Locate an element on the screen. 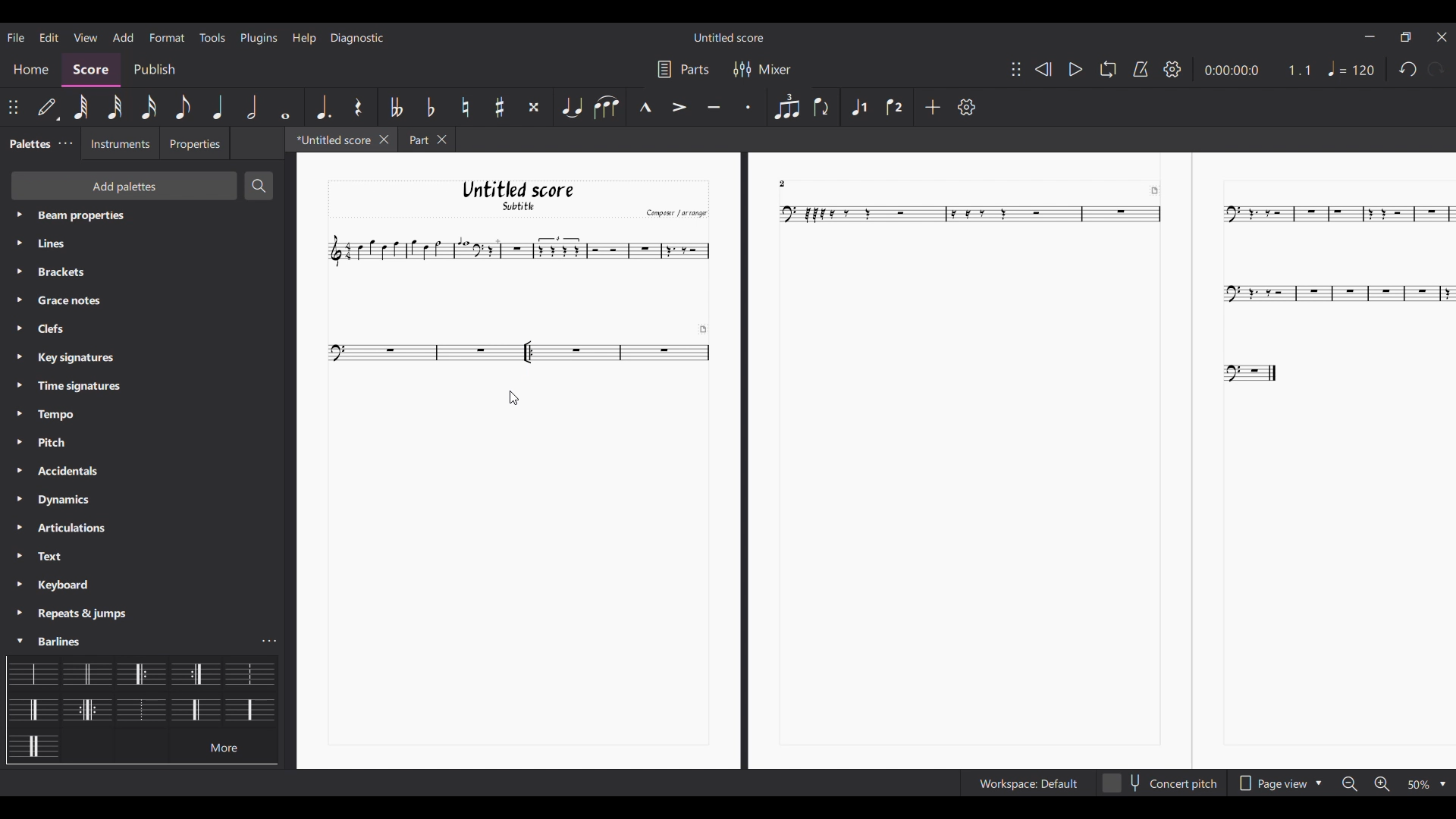  Publish section is located at coordinates (155, 69).